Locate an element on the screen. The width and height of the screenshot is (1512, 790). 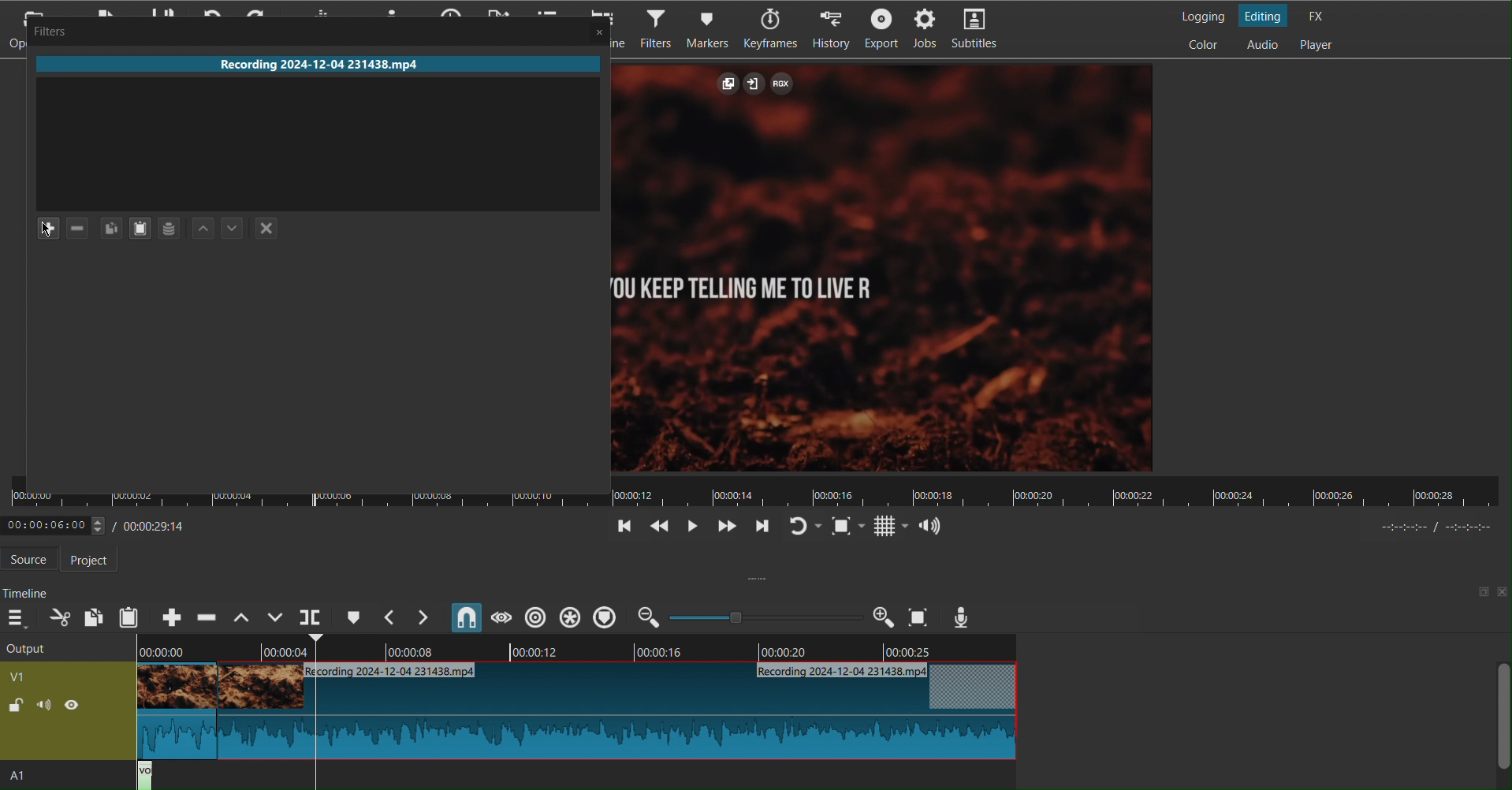
Logging is located at coordinates (1202, 13).